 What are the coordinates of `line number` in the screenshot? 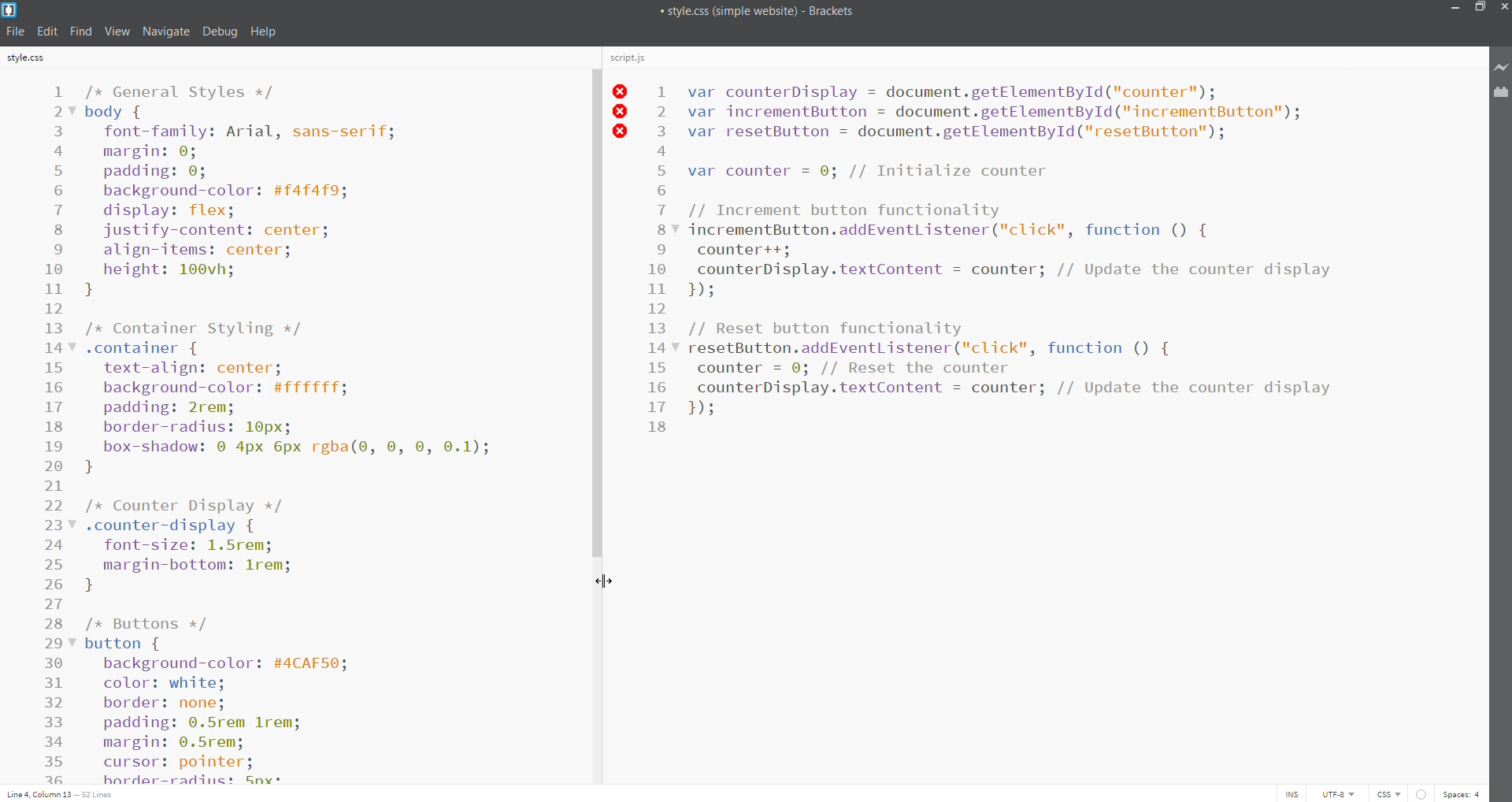 It's located at (663, 261).